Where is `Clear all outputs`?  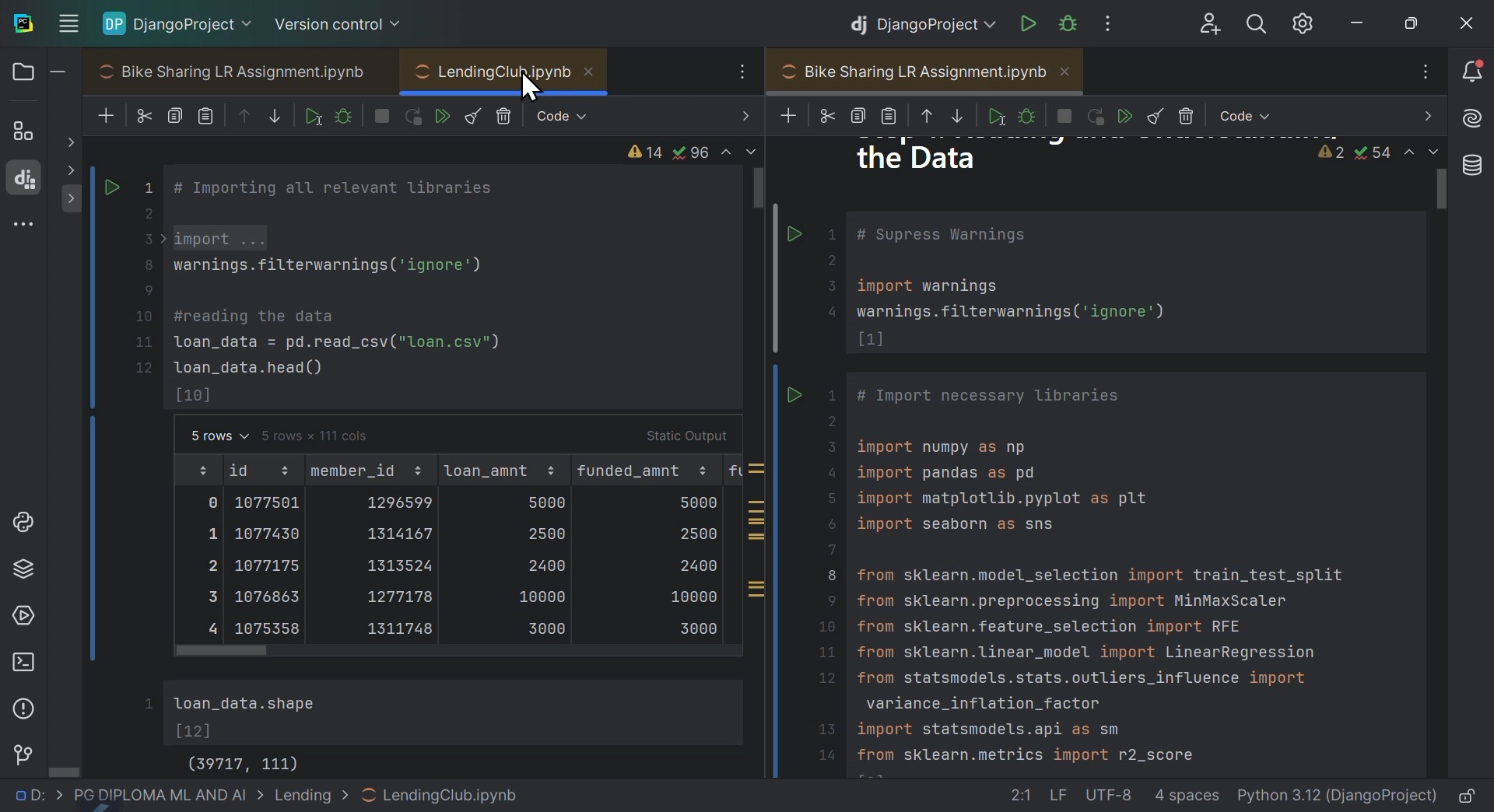 Clear all outputs is located at coordinates (478, 114).